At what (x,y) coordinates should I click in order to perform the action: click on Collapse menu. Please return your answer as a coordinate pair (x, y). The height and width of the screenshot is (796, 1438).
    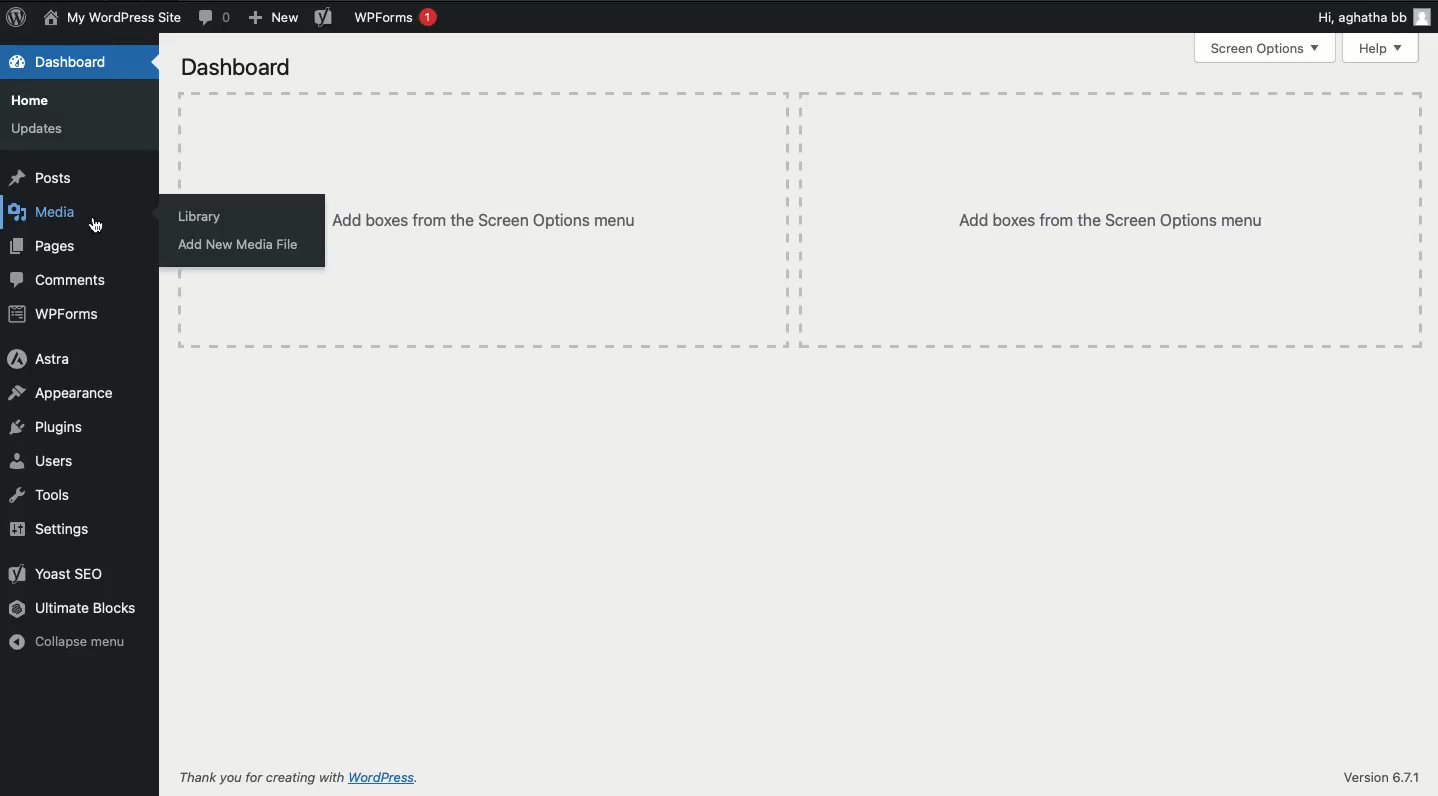
    Looking at the image, I should click on (71, 641).